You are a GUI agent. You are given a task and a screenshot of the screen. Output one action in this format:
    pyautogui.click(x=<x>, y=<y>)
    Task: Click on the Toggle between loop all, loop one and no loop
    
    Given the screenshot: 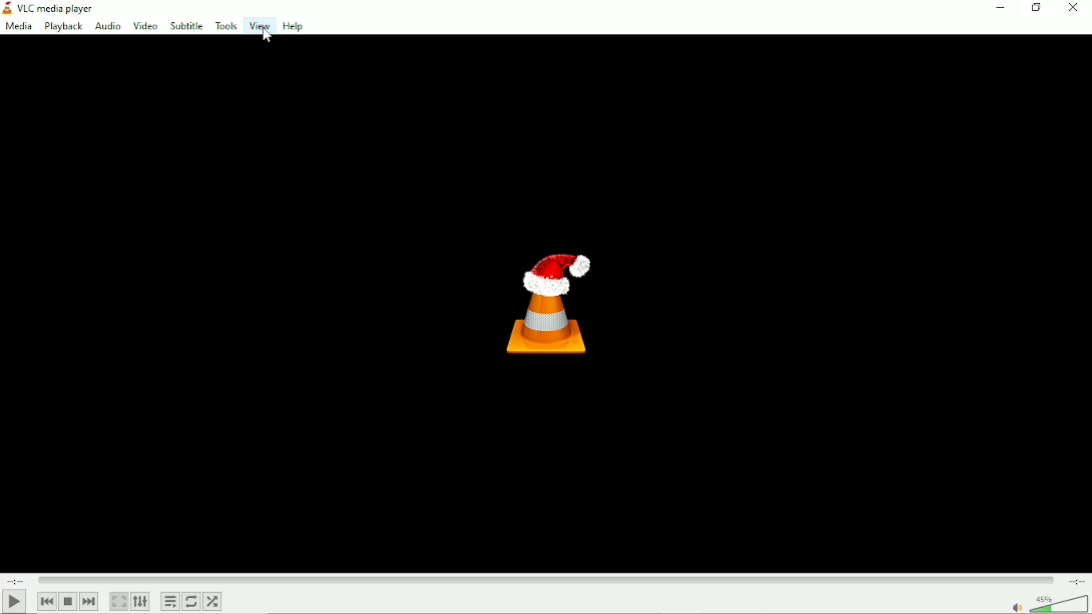 What is the action you would take?
    pyautogui.click(x=191, y=601)
    